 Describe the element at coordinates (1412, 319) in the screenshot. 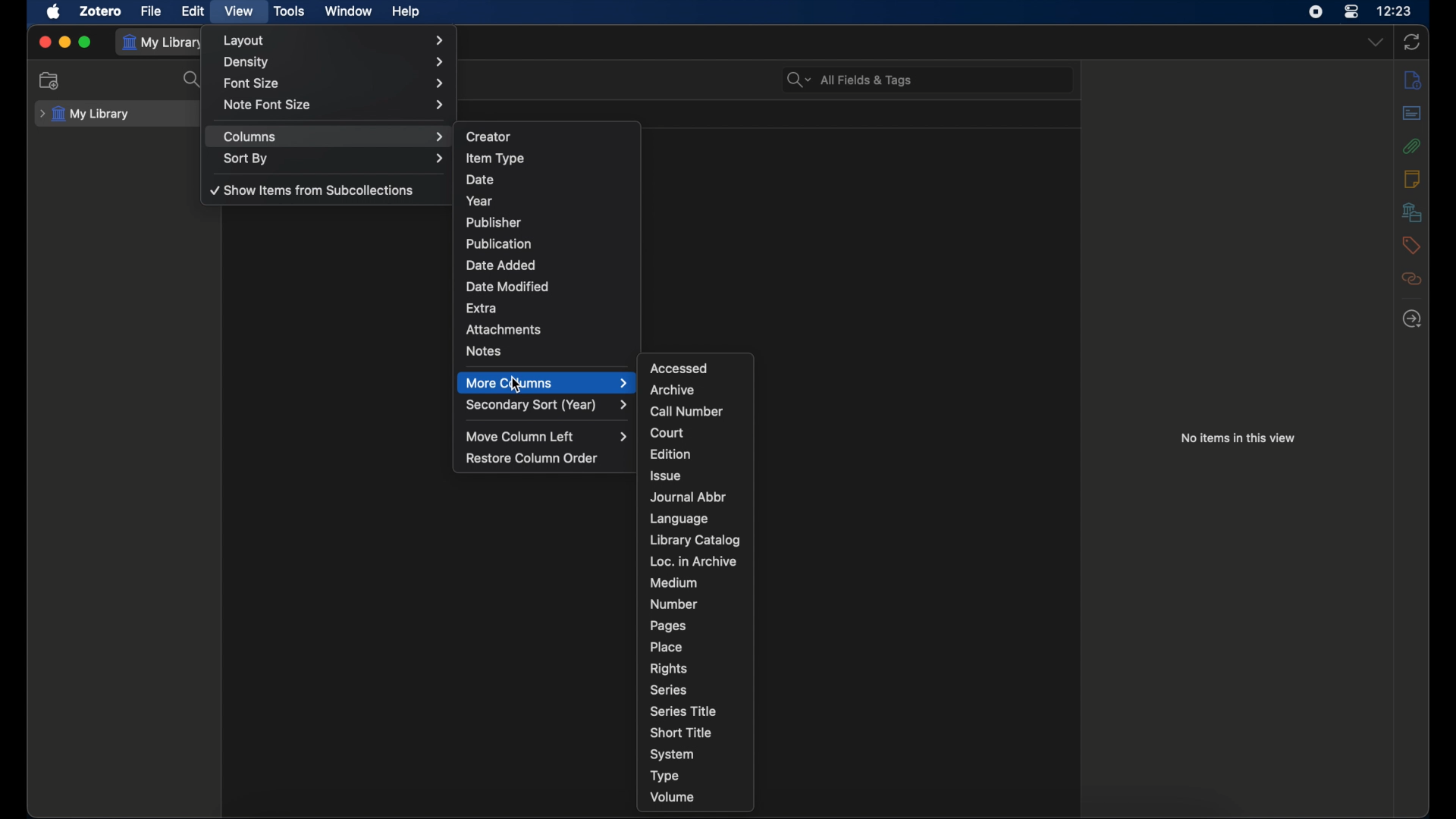

I see `locate` at that location.